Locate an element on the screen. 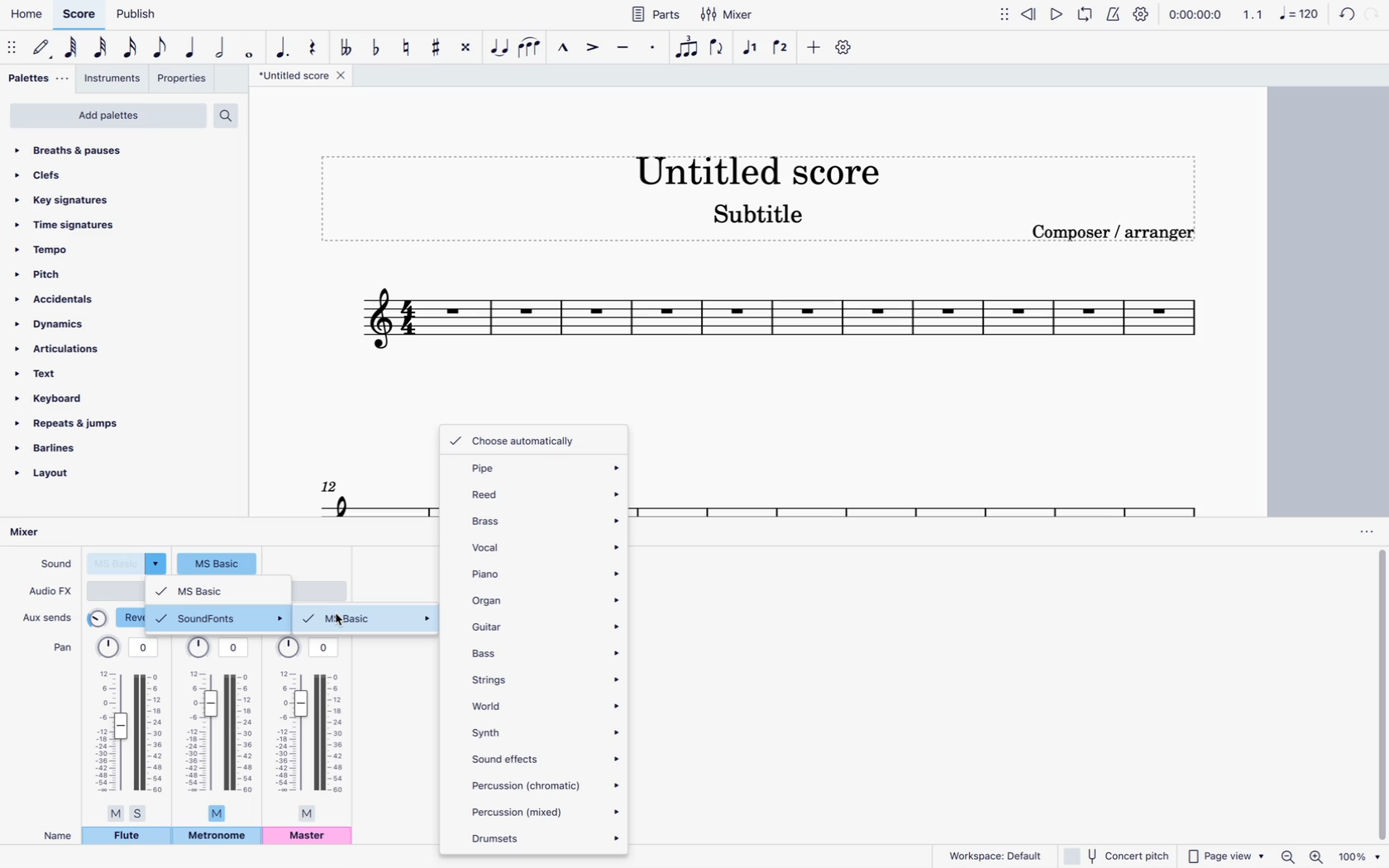 The width and height of the screenshot is (1389, 868). repeats & jumps is located at coordinates (79, 425).